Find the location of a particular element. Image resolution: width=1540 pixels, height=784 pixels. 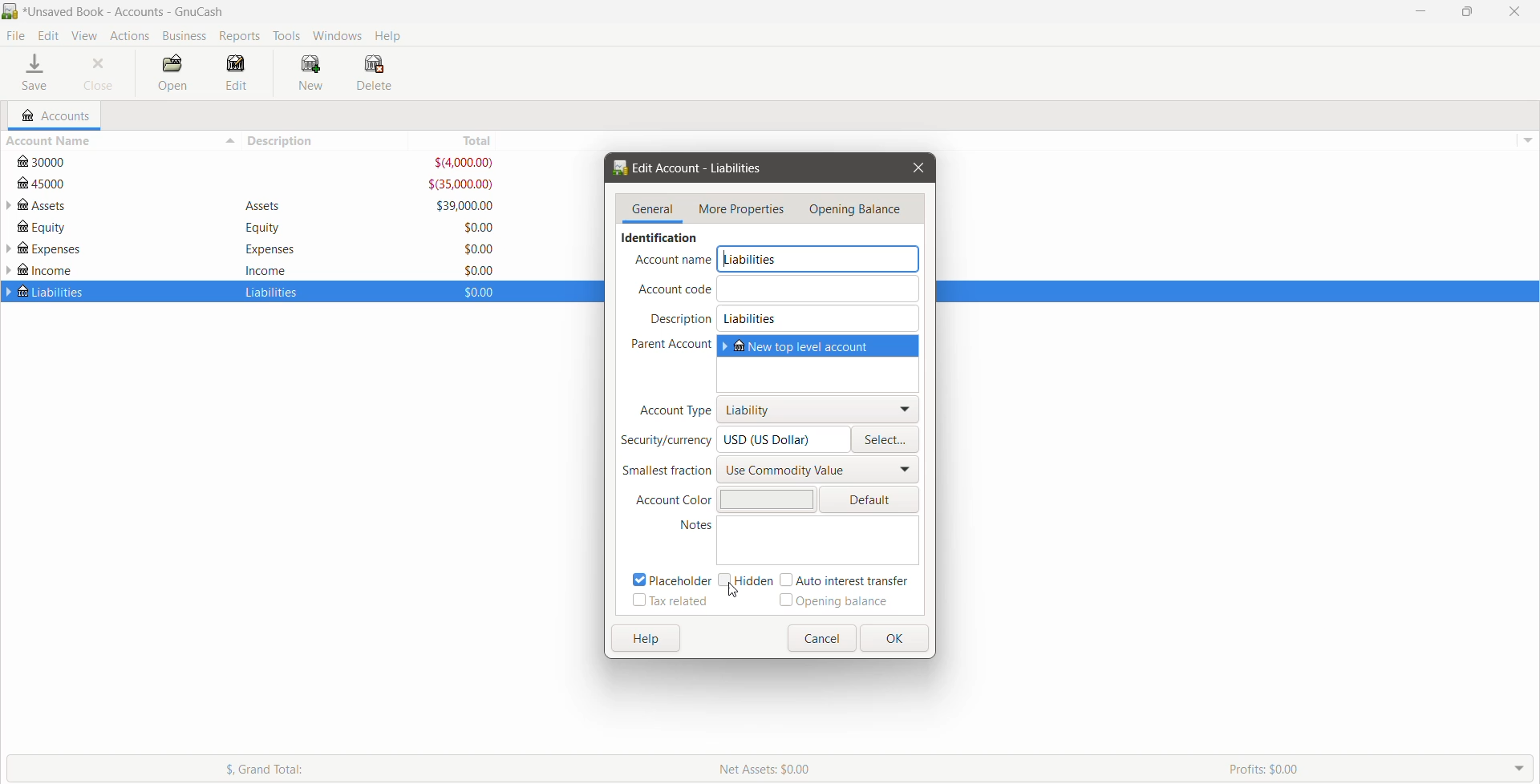

Delete is located at coordinates (376, 73).